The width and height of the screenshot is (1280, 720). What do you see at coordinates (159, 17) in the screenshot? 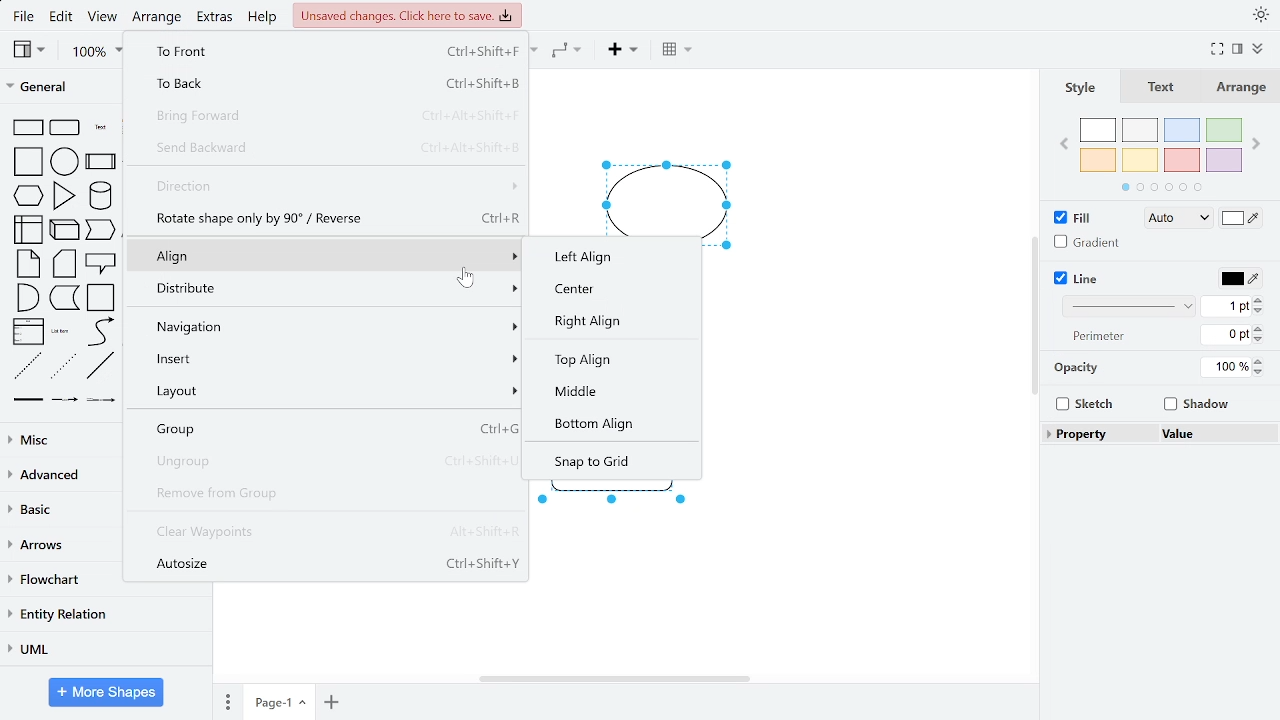
I see `arrange` at bounding box center [159, 17].